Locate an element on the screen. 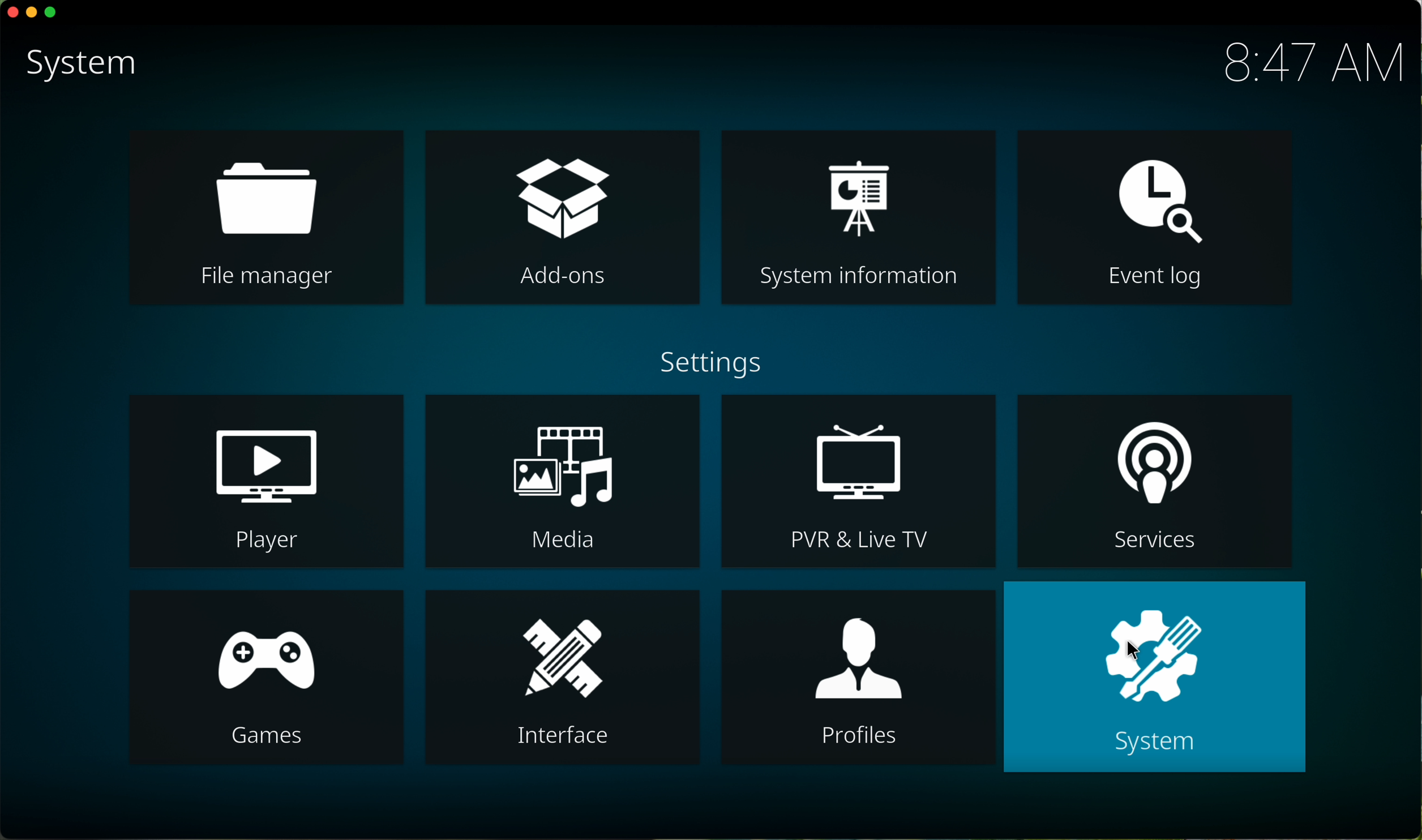  hour is located at coordinates (1311, 63).